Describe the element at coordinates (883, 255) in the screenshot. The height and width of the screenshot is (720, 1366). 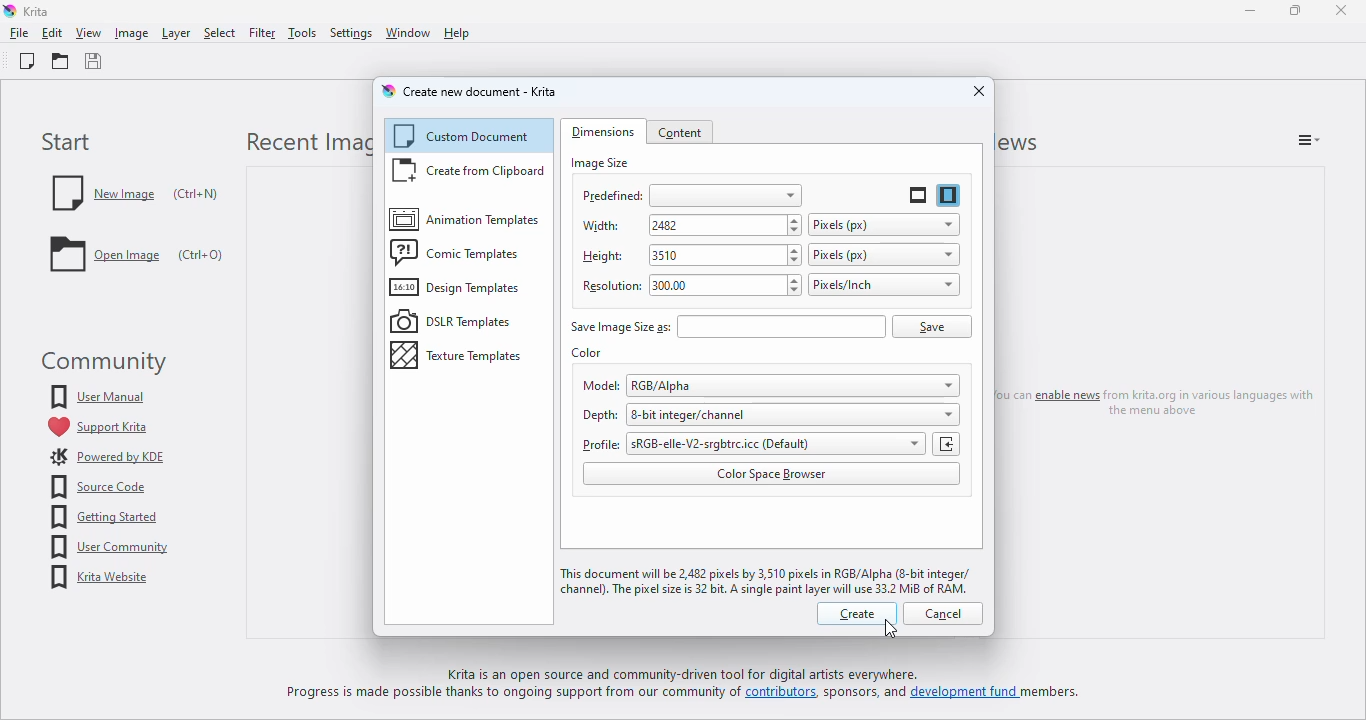
I see `pixels (px)` at that location.